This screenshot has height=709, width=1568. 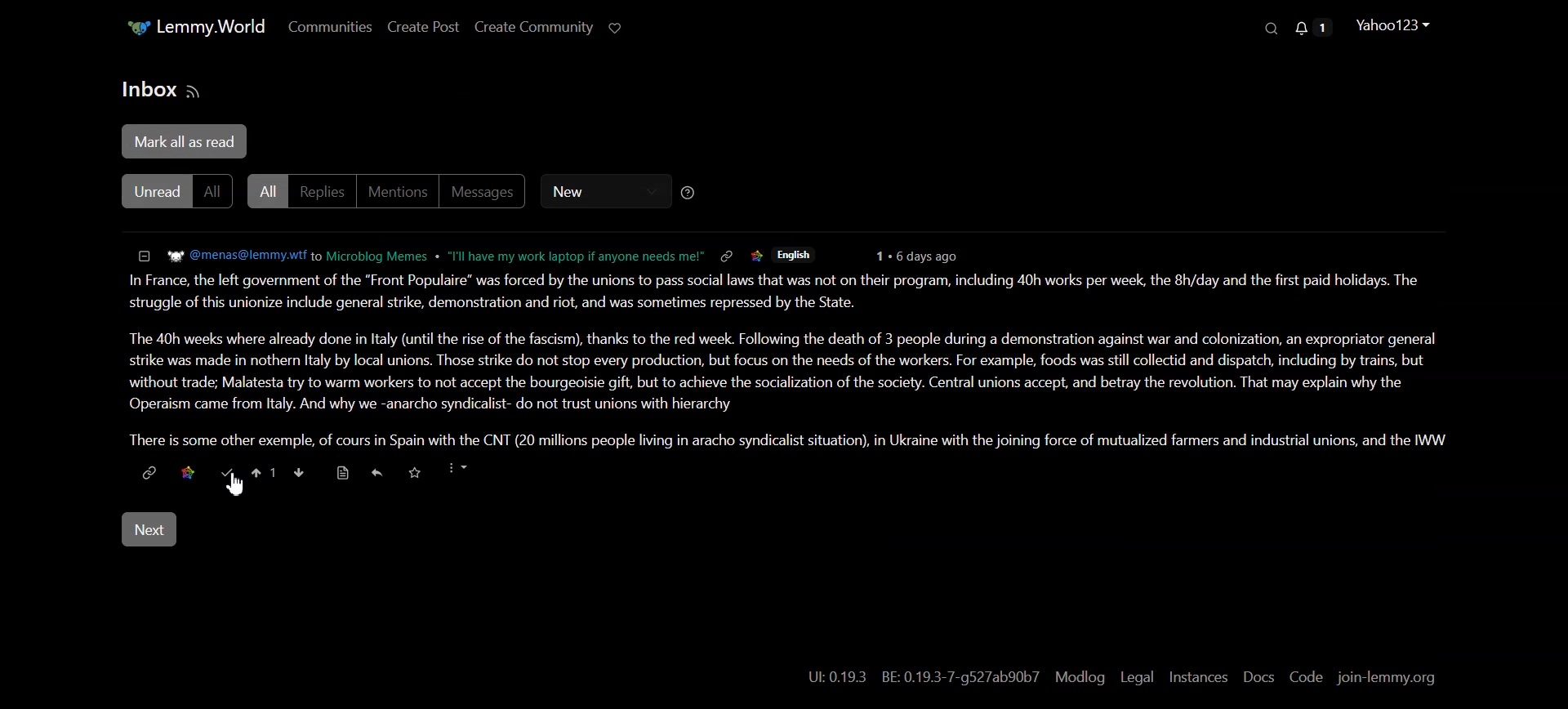 I want to click on Messages, so click(x=484, y=191).